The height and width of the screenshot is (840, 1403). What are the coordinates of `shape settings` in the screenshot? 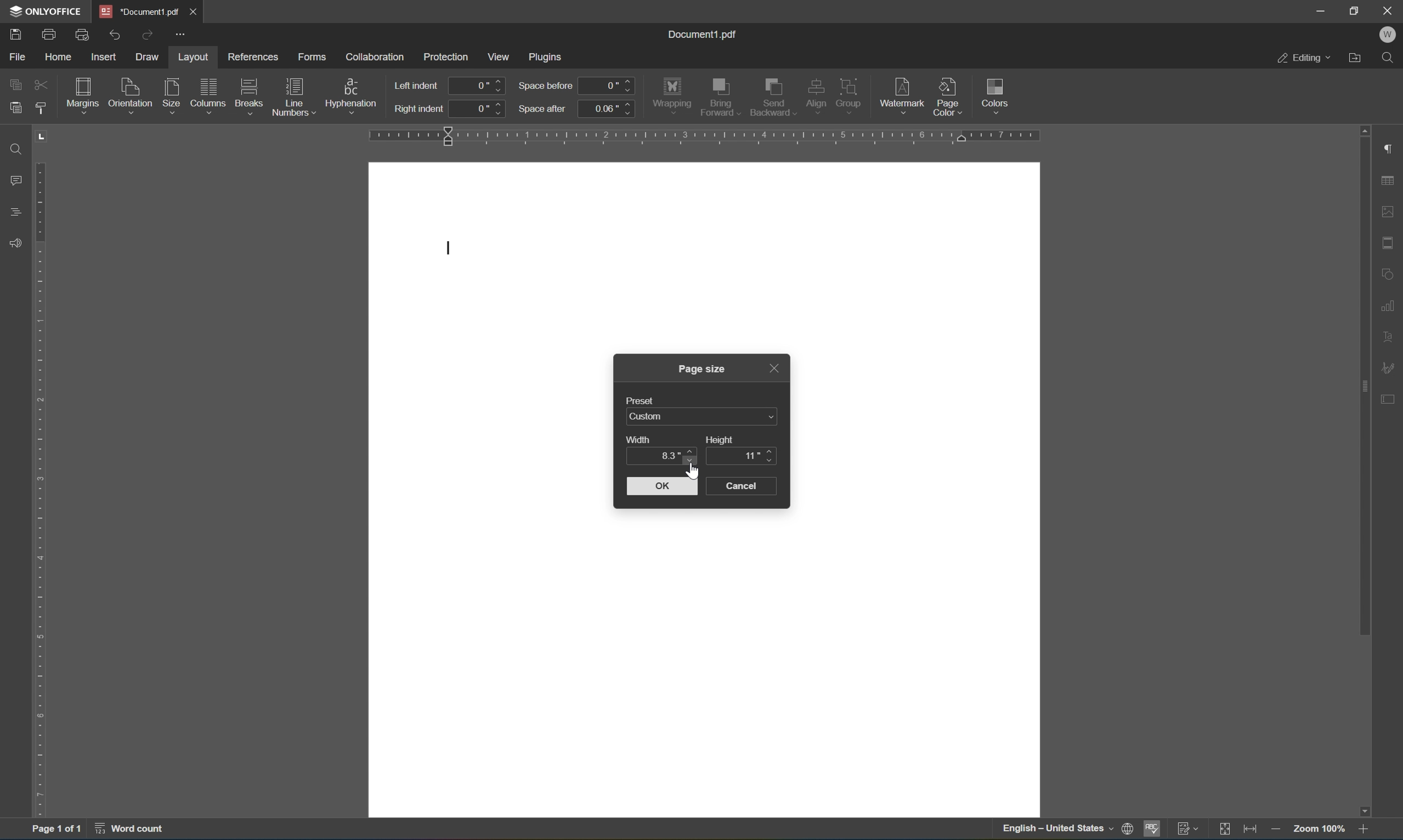 It's located at (1391, 274).